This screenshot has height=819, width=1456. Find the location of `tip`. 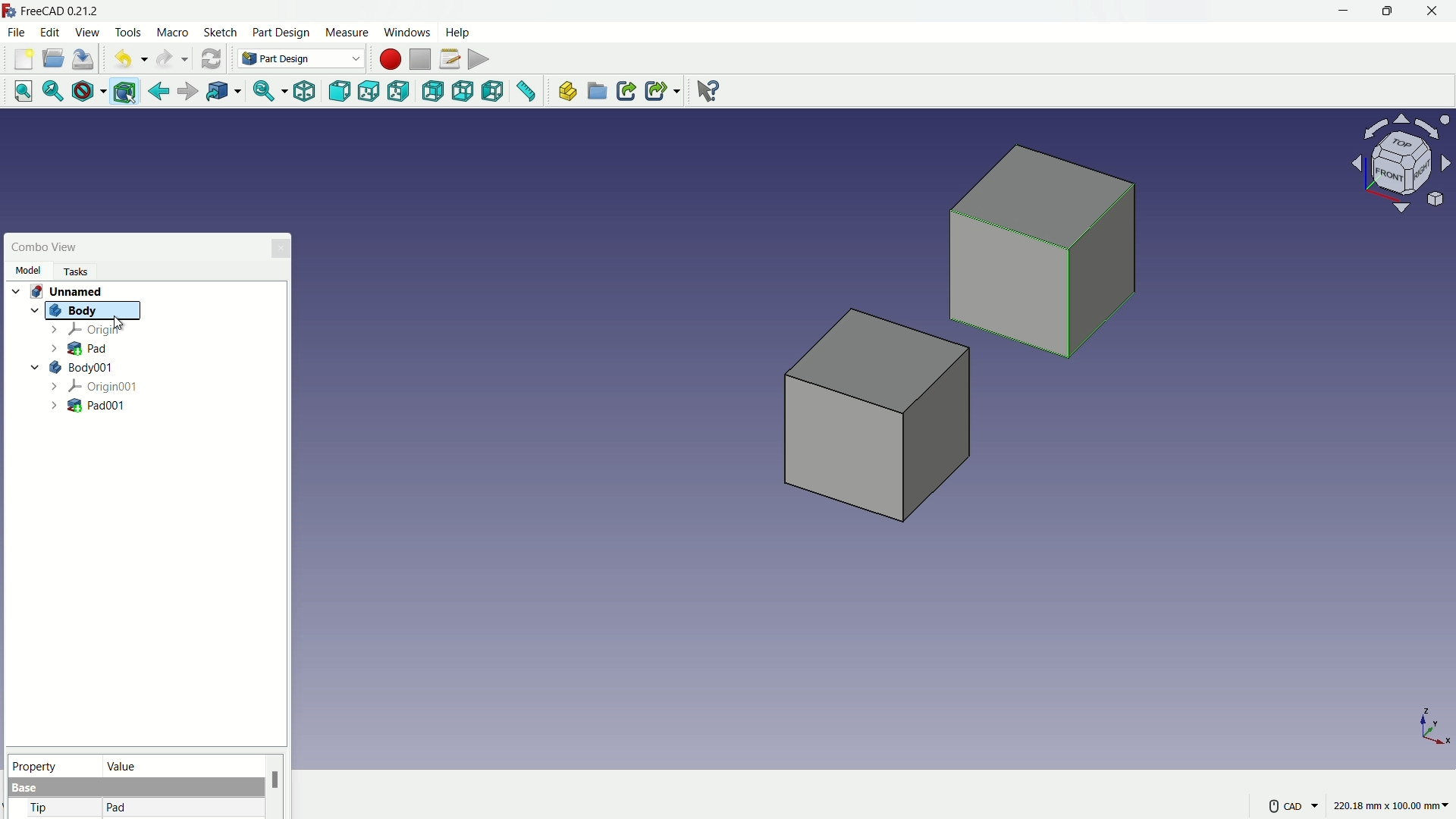

tip is located at coordinates (40, 809).